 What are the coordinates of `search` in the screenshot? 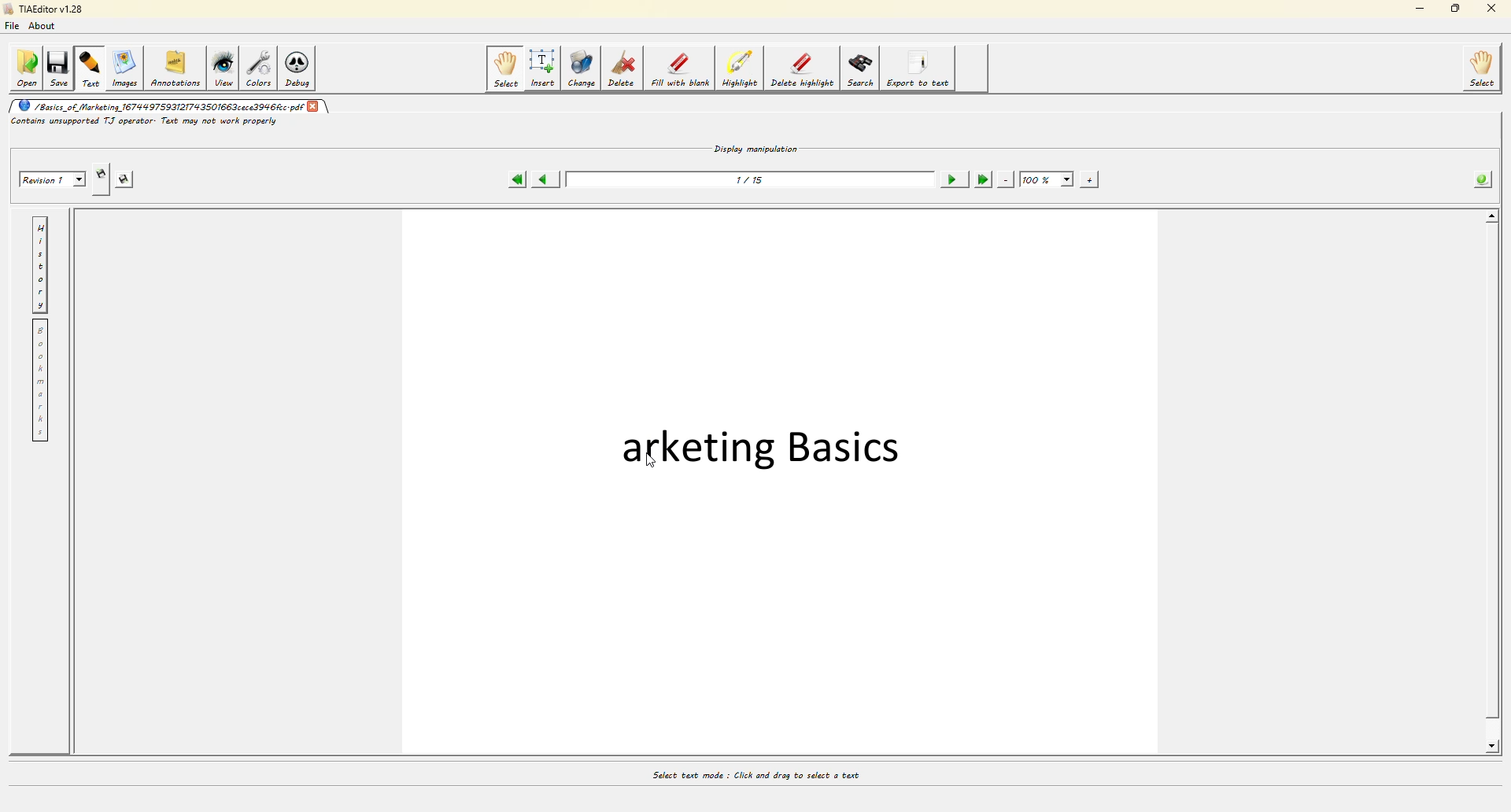 It's located at (860, 68).